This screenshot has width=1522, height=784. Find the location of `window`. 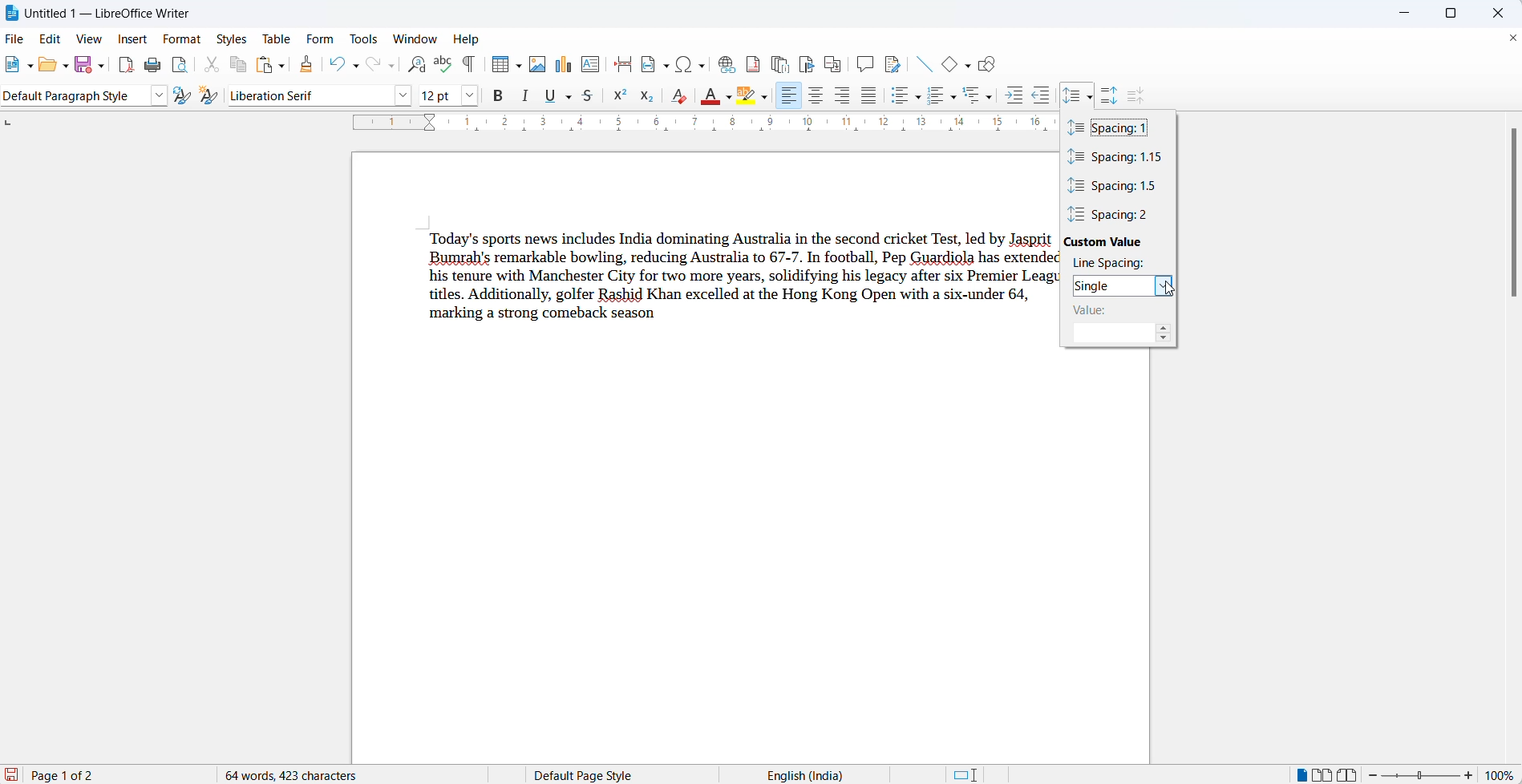

window is located at coordinates (415, 39).